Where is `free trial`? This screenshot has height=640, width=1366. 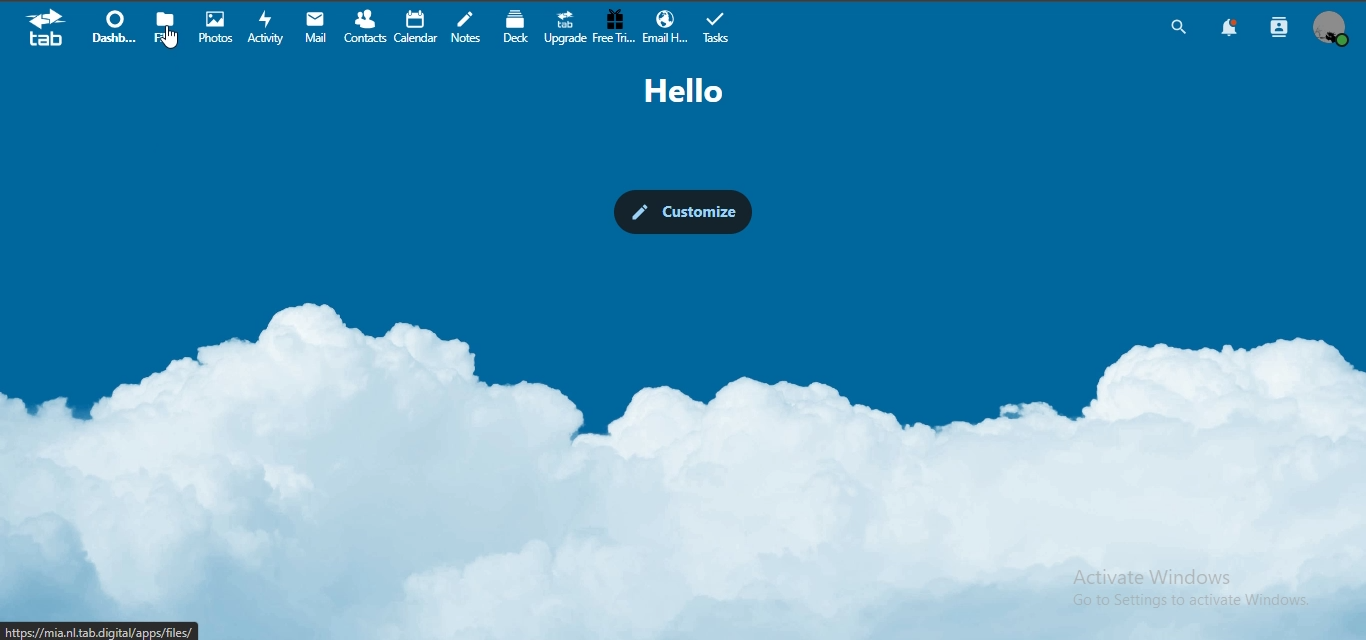
free trial is located at coordinates (615, 26).